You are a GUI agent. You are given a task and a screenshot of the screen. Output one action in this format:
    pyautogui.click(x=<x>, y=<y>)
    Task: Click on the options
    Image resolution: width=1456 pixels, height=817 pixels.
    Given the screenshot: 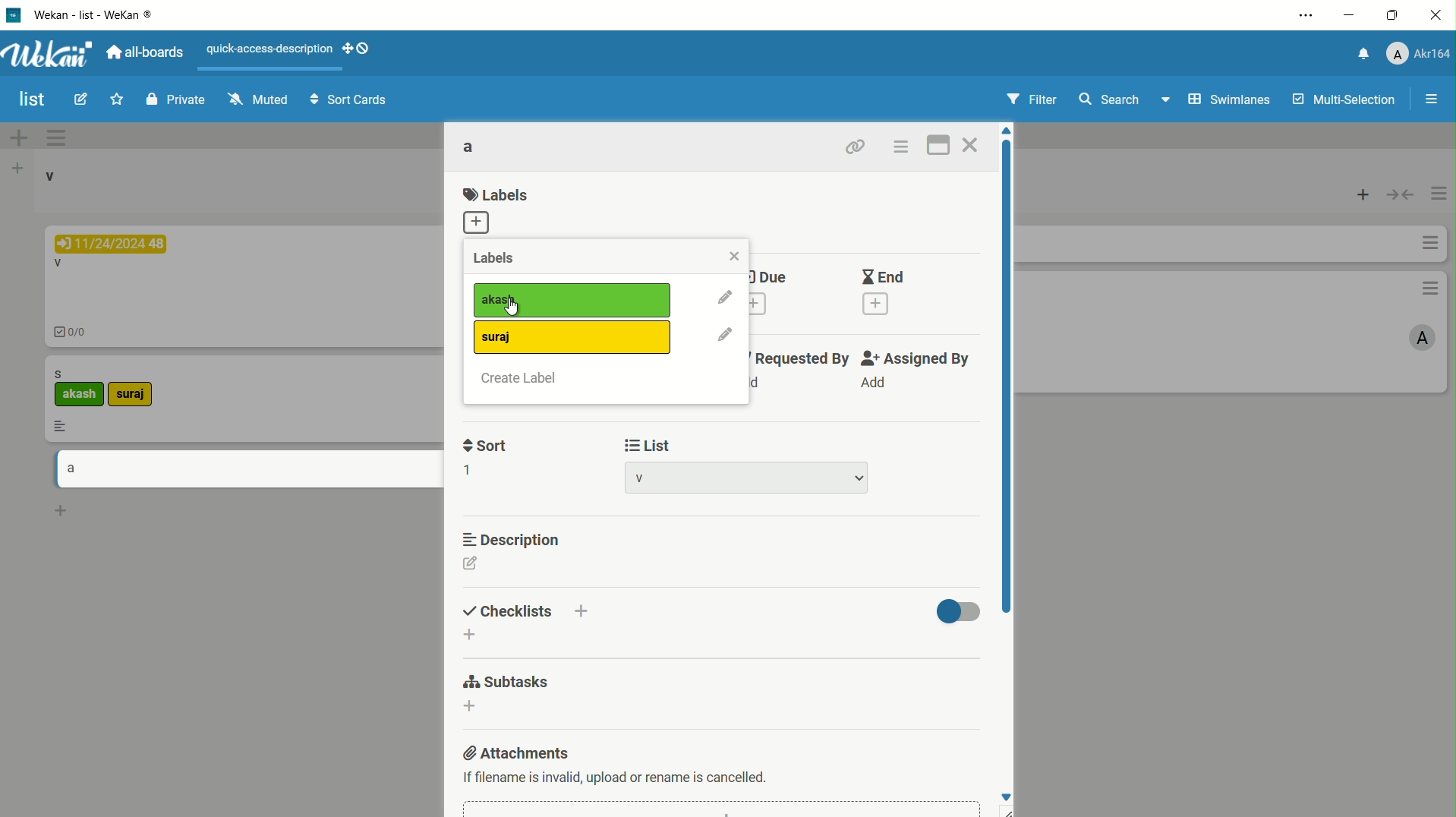 What is the action you would take?
    pyautogui.click(x=1426, y=289)
    